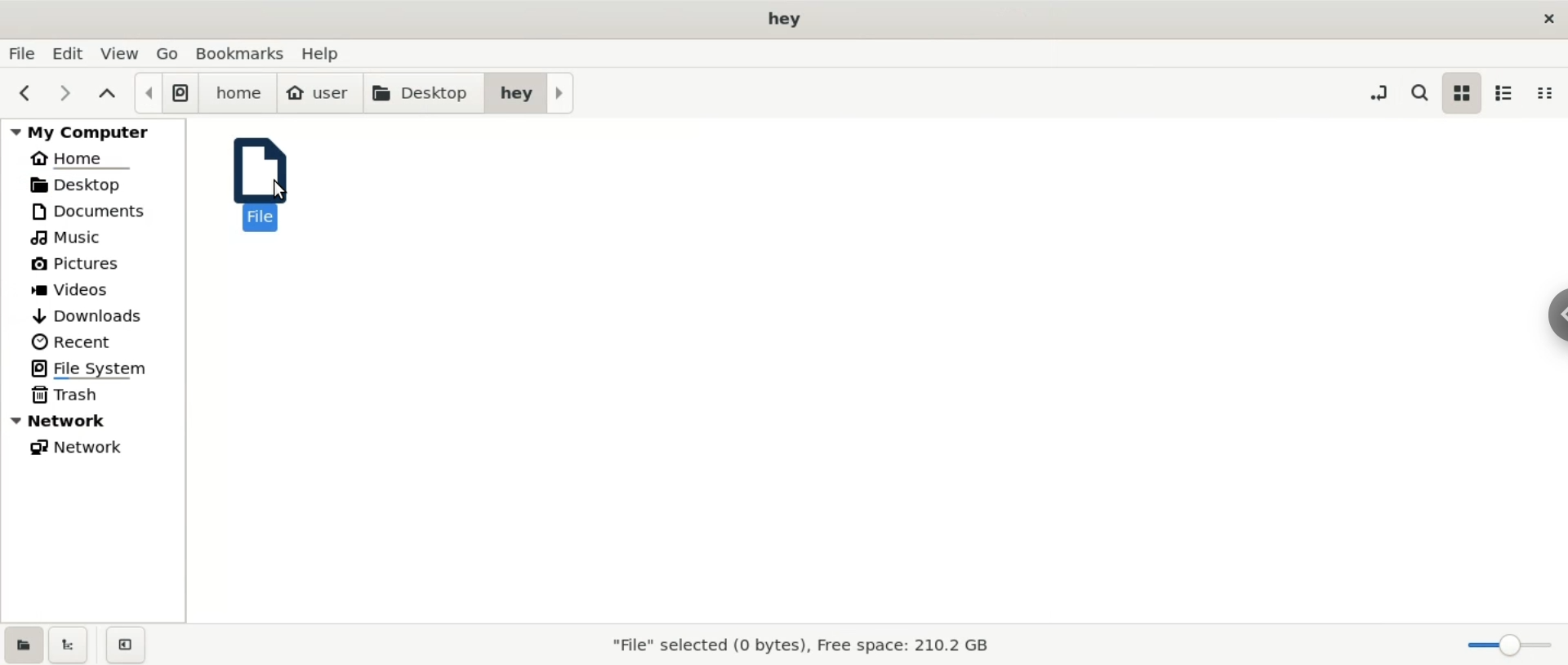 This screenshot has height=665, width=1568. Describe the element at coordinates (1550, 92) in the screenshot. I see `compact view` at that location.